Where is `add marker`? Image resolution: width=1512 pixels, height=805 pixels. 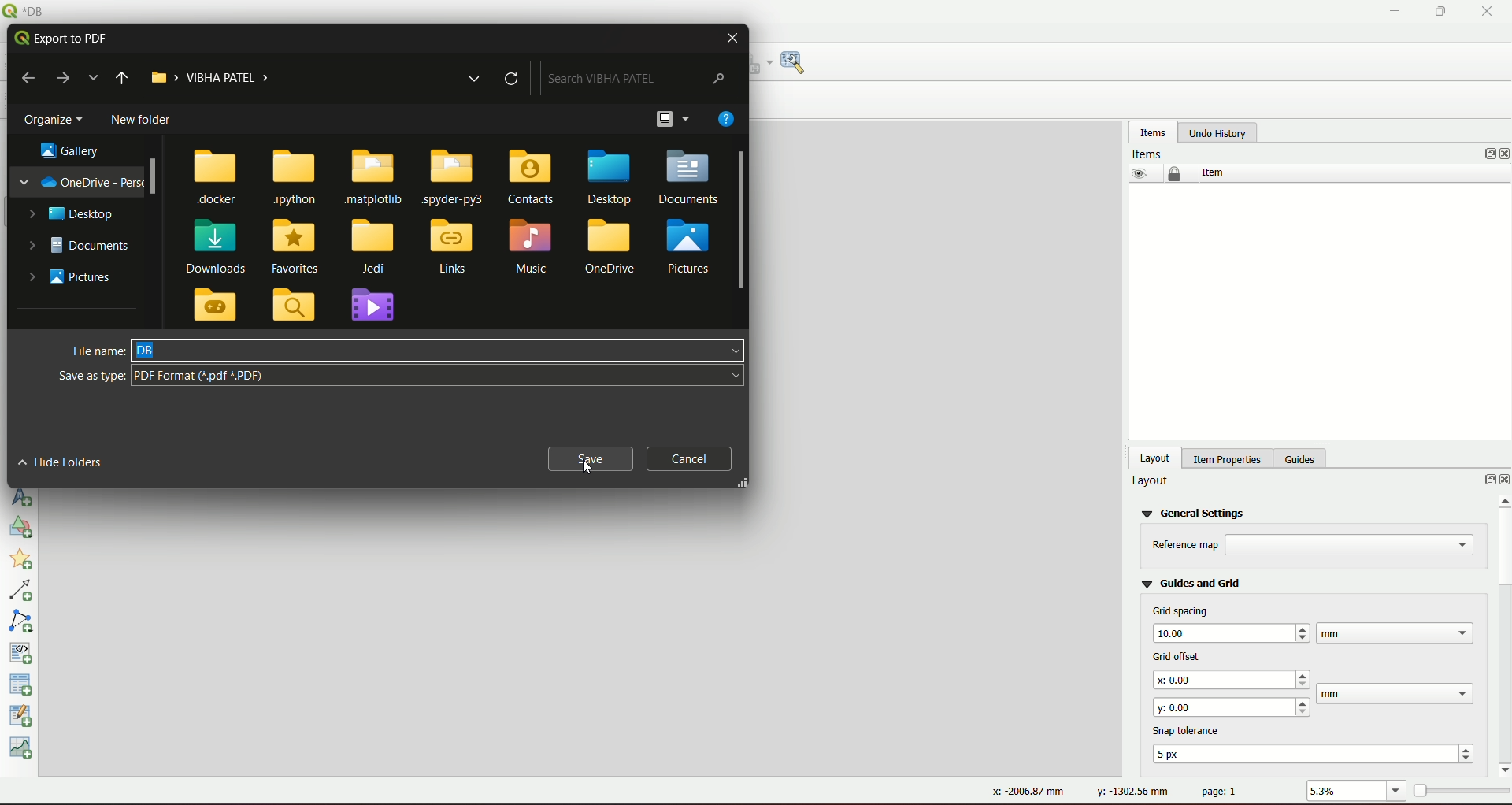
add marker is located at coordinates (24, 562).